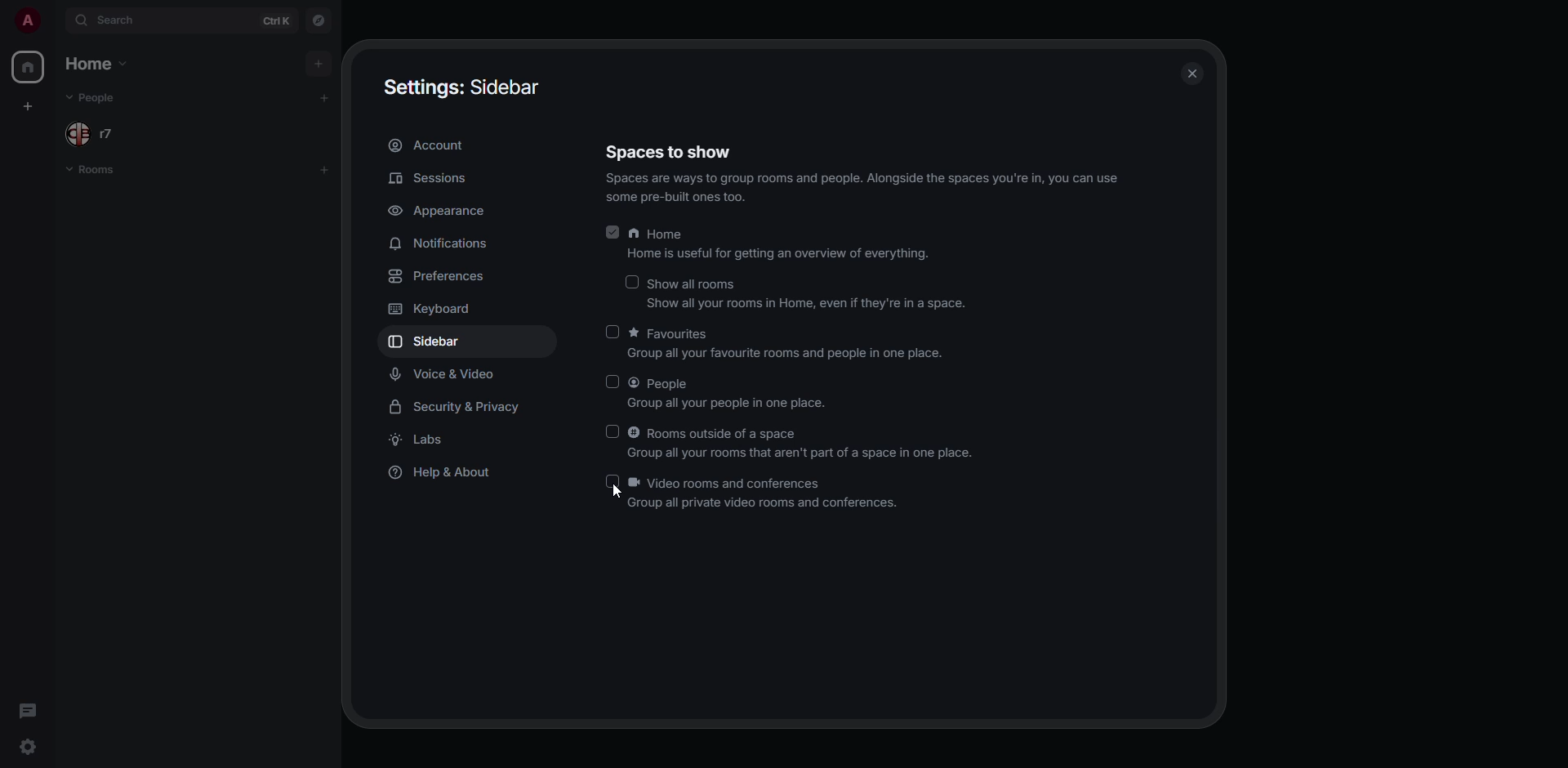 Image resolution: width=1568 pixels, height=768 pixels. Describe the element at coordinates (446, 211) in the screenshot. I see `appearance` at that location.